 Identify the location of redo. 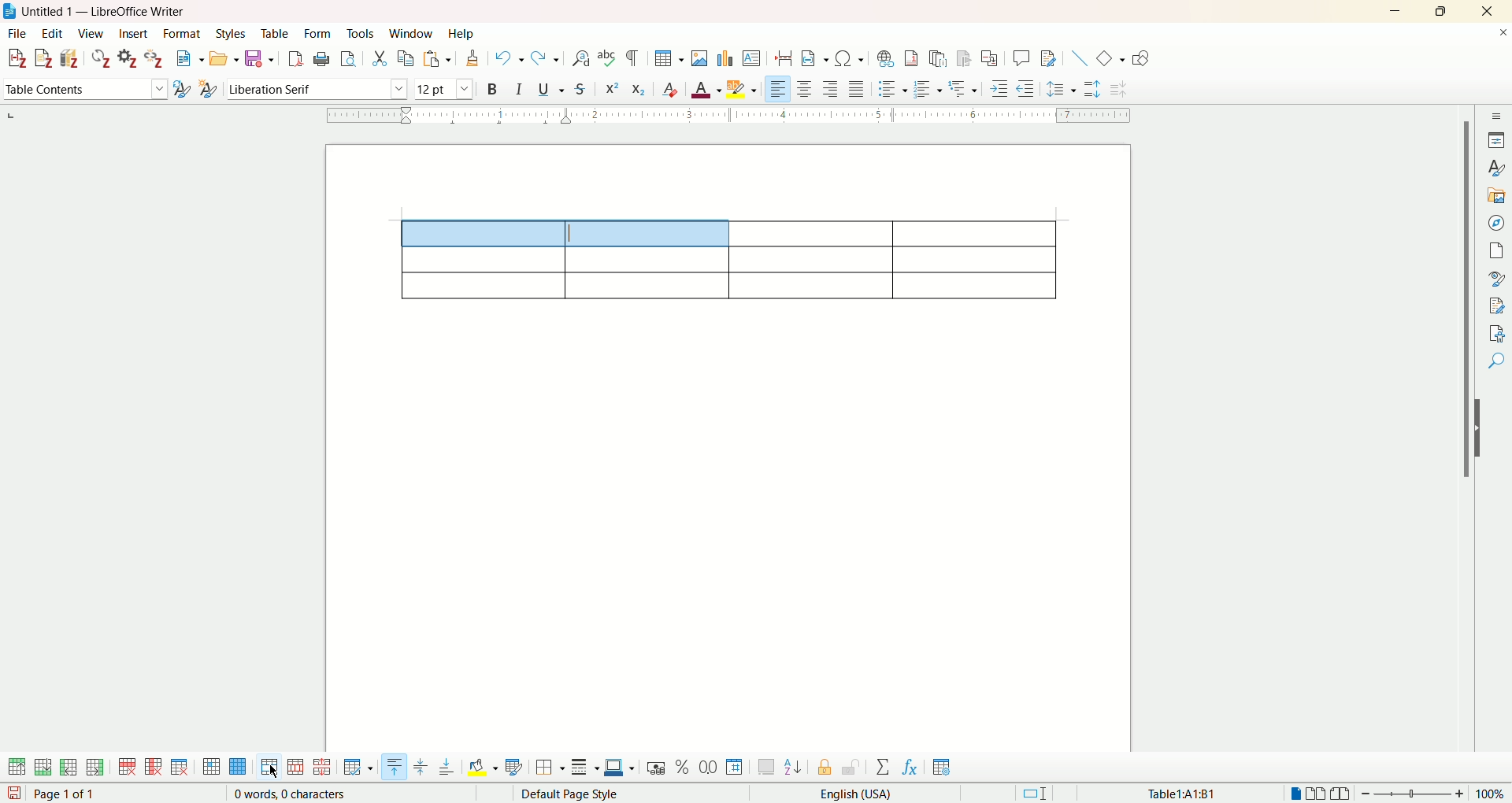
(544, 58).